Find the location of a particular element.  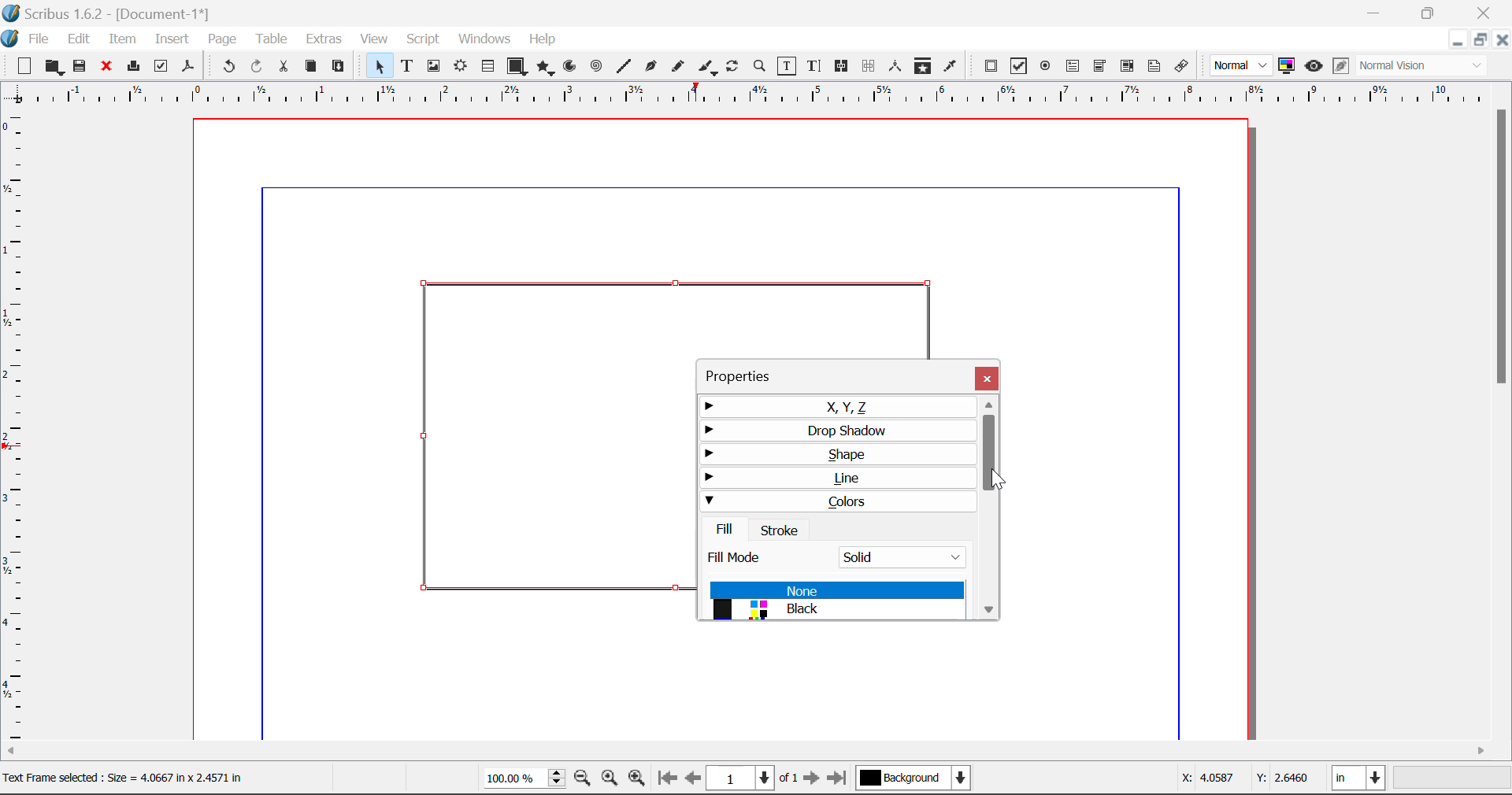

Close is located at coordinates (1503, 39).